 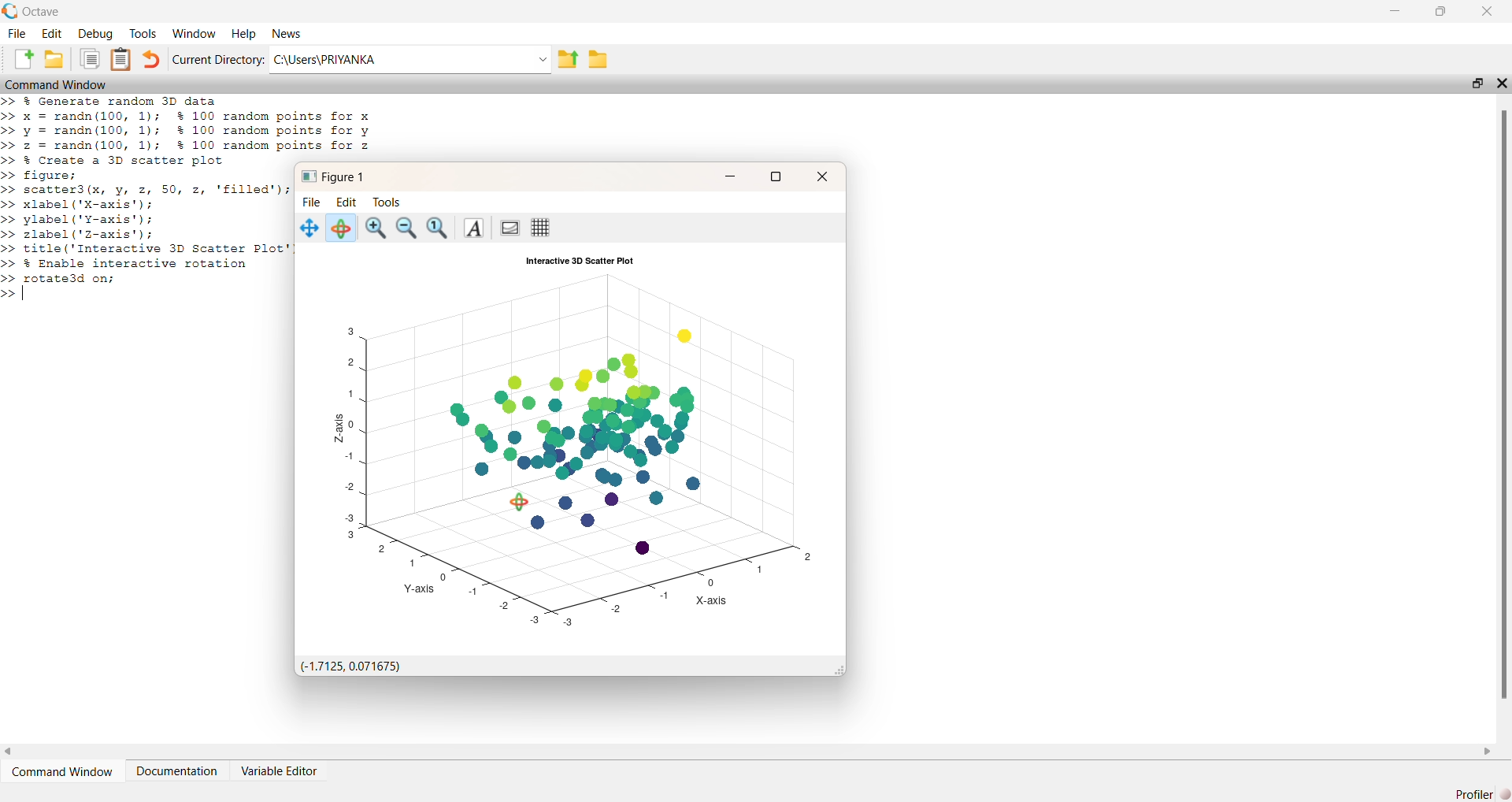 What do you see at coordinates (1440, 11) in the screenshot?
I see `resize` at bounding box center [1440, 11].